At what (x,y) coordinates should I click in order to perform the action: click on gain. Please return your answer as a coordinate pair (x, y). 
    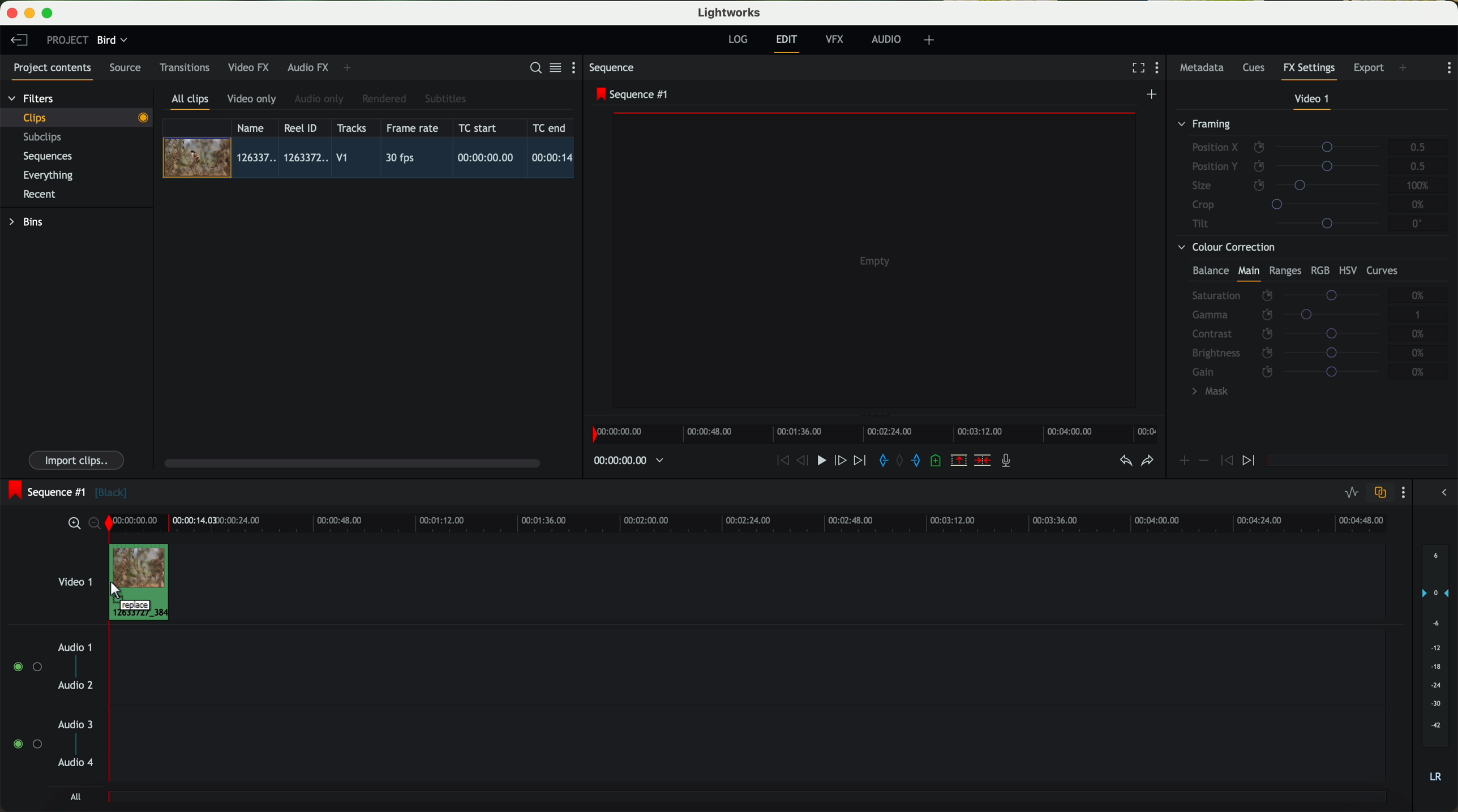
    Looking at the image, I should click on (1293, 371).